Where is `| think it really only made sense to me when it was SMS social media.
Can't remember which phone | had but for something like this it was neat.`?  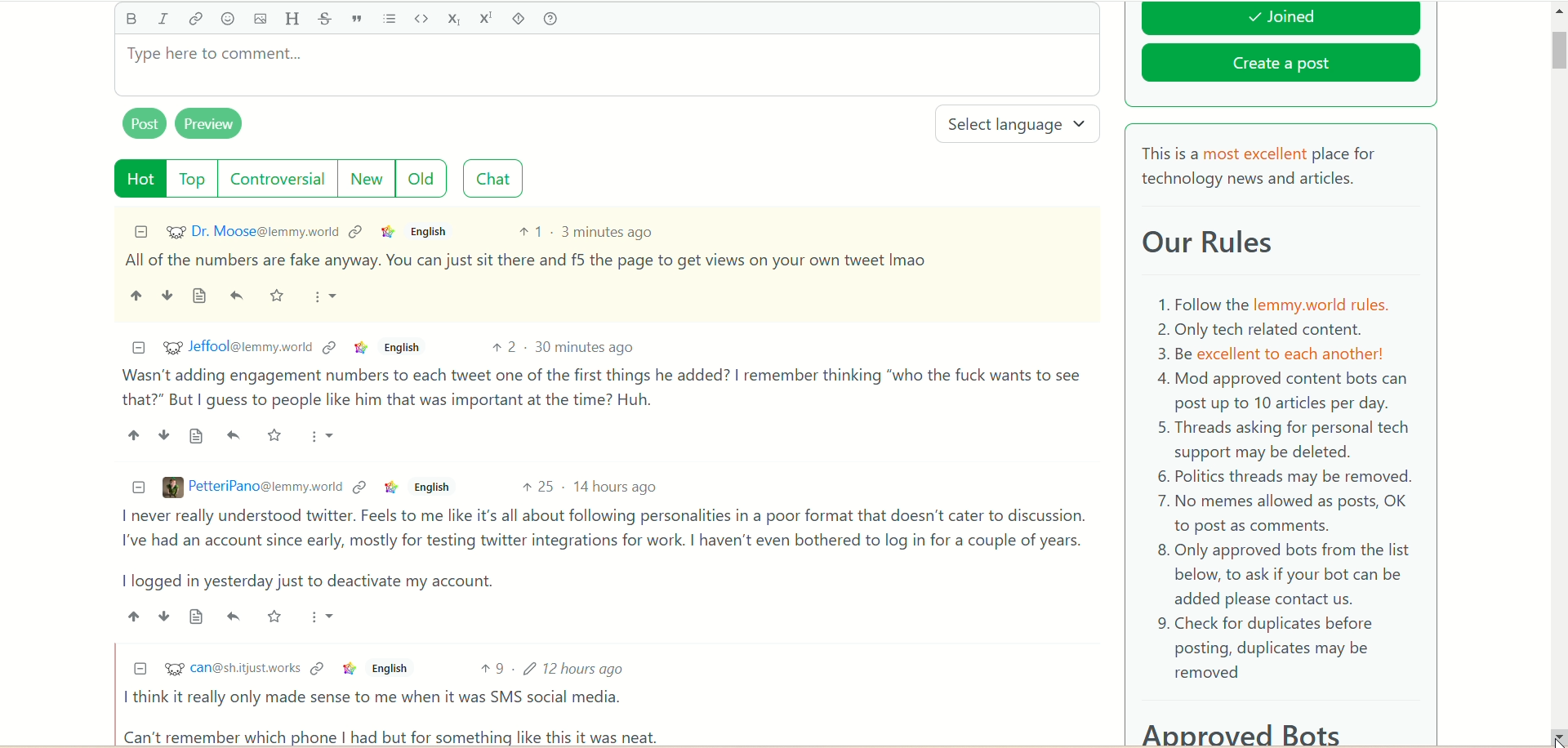
| think it really only made sense to me when it was SMS social media.
Can't remember which phone | had but for something like this it was neat. is located at coordinates (396, 716).